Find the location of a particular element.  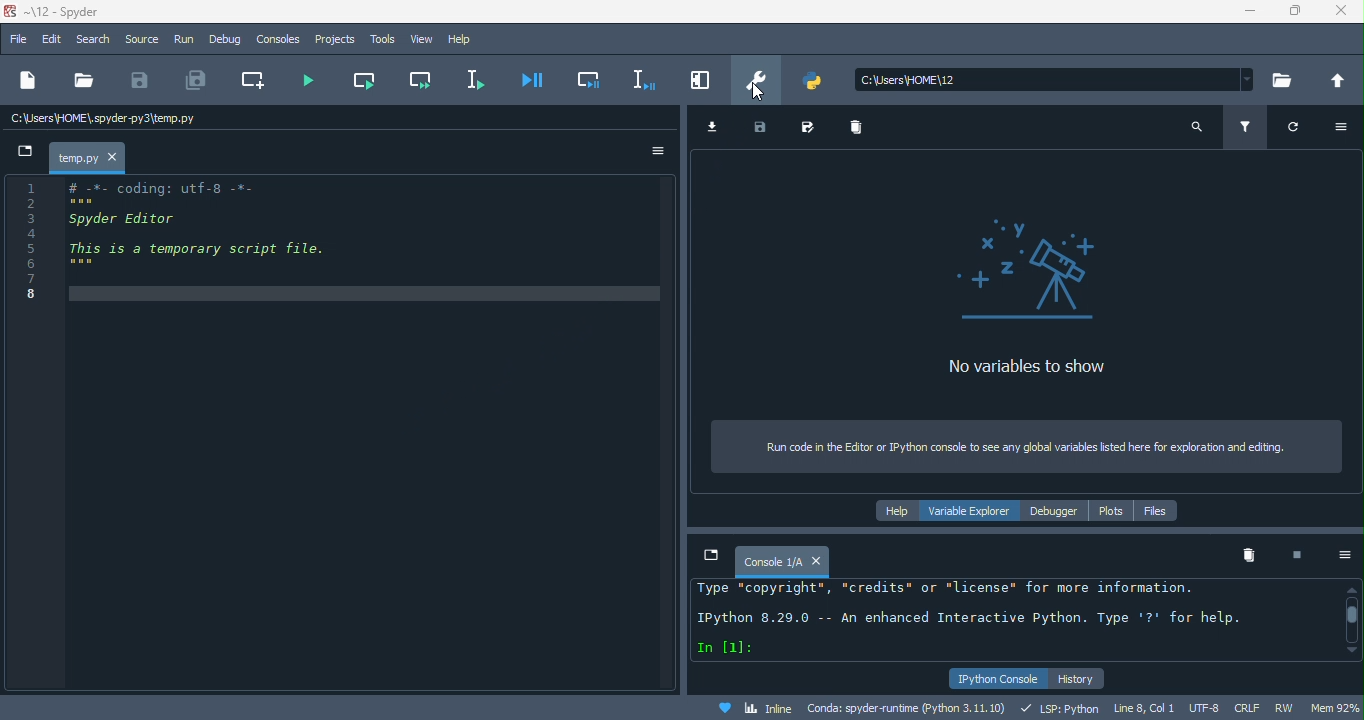

option is located at coordinates (1347, 129).